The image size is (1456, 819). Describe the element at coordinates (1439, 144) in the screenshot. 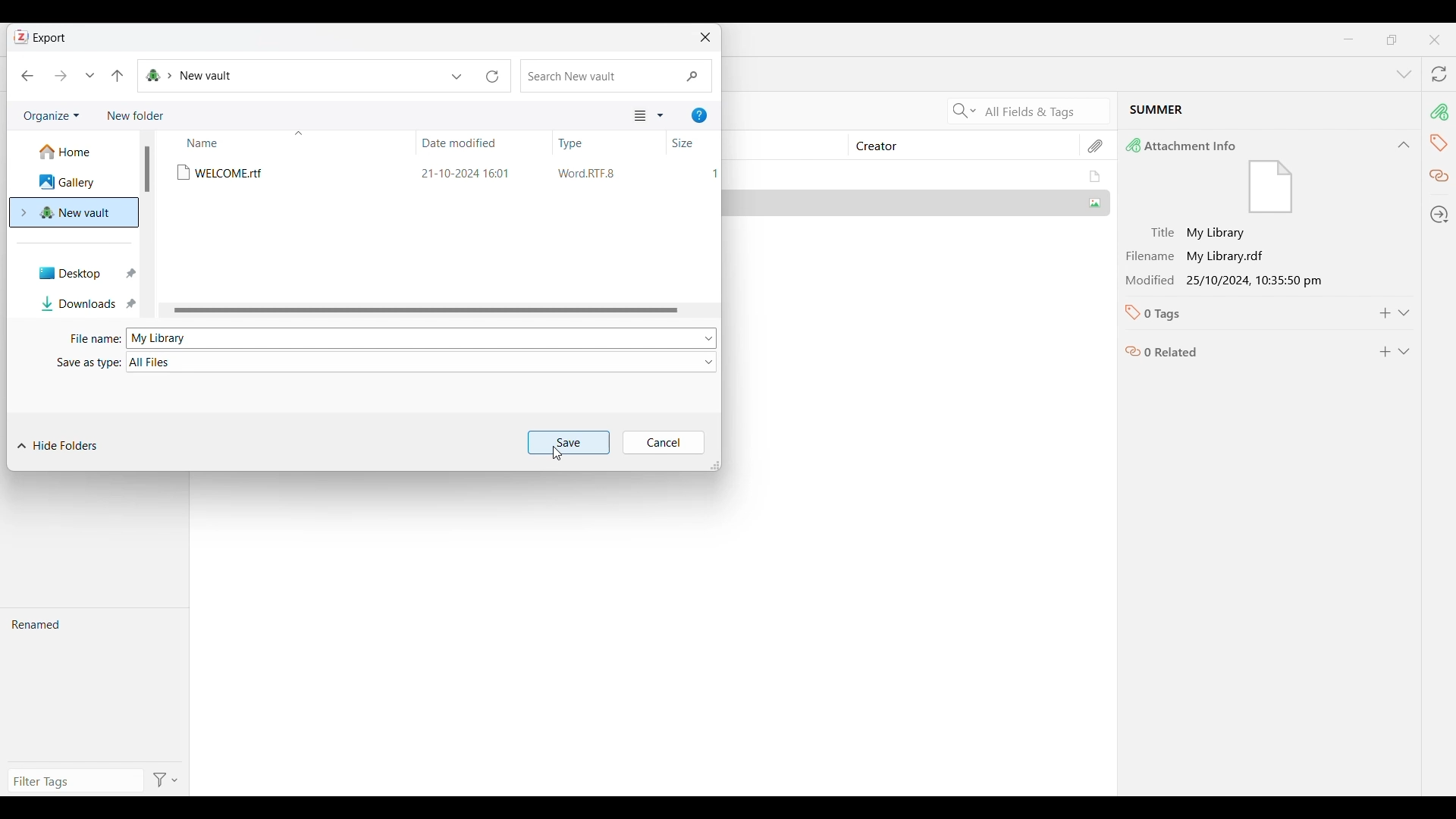

I see `Tags` at that location.